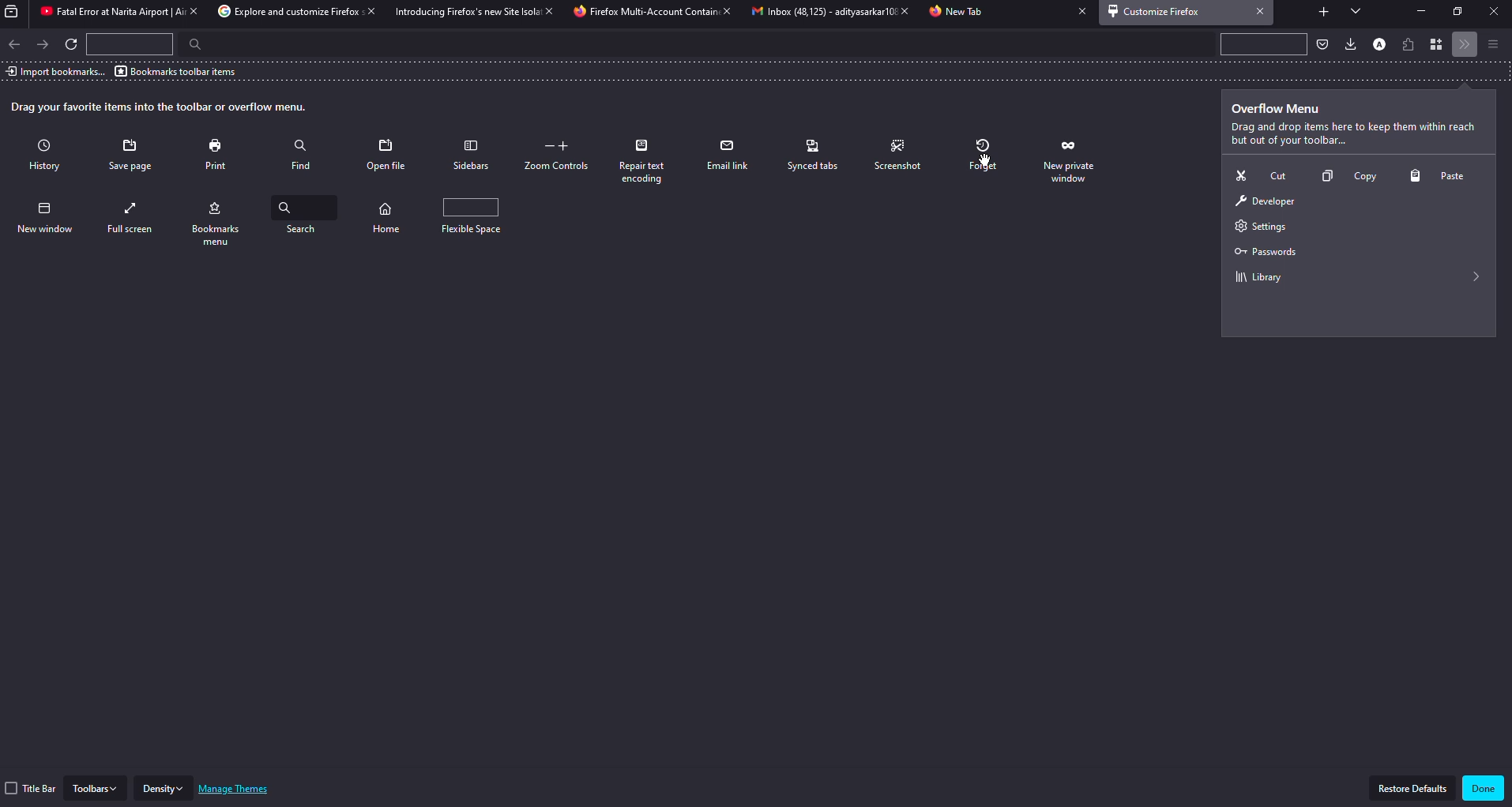  Describe the element at coordinates (1344, 178) in the screenshot. I see `copy` at that location.